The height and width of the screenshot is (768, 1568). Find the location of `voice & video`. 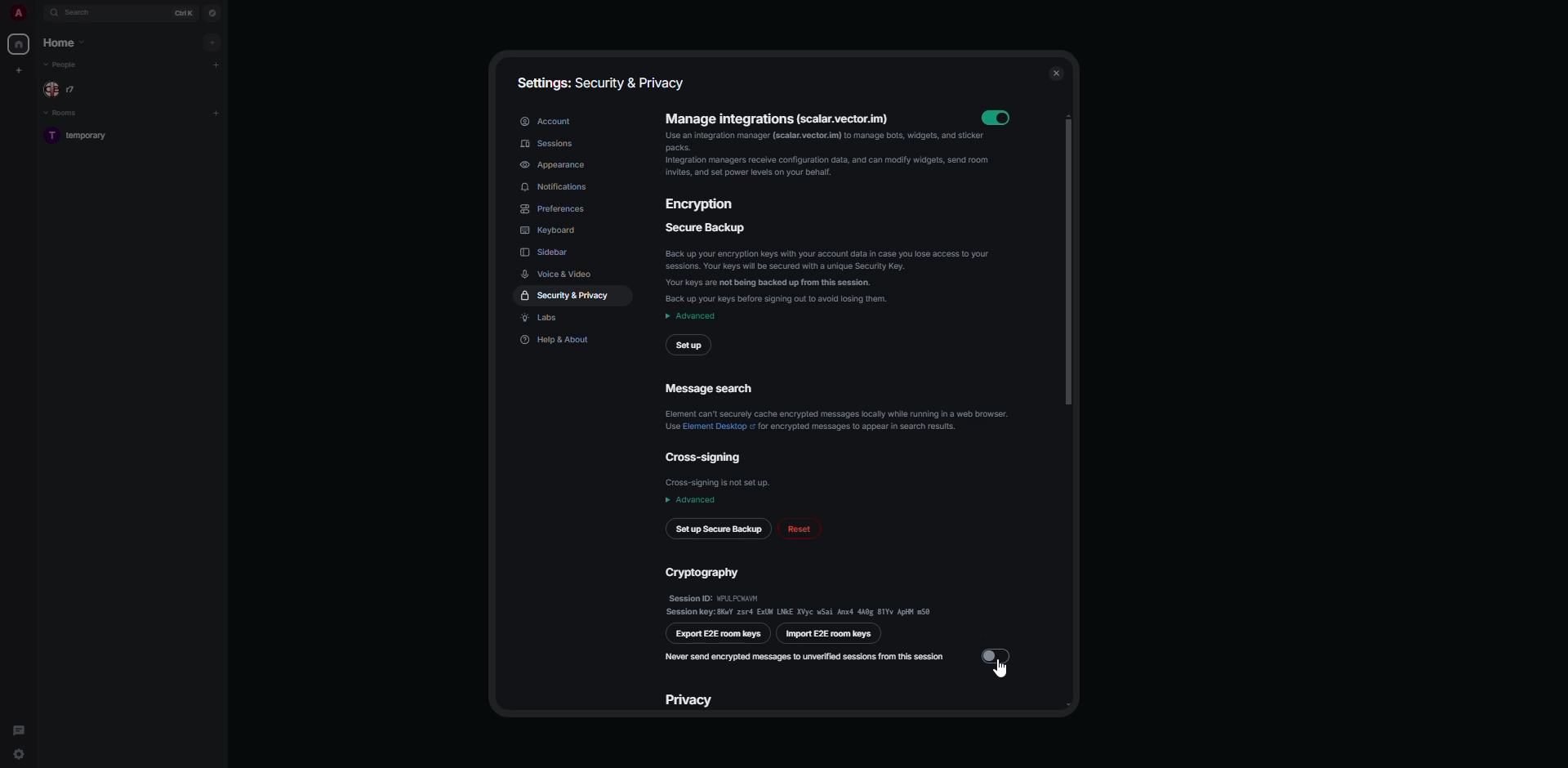

voice & video is located at coordinates (560, 273).